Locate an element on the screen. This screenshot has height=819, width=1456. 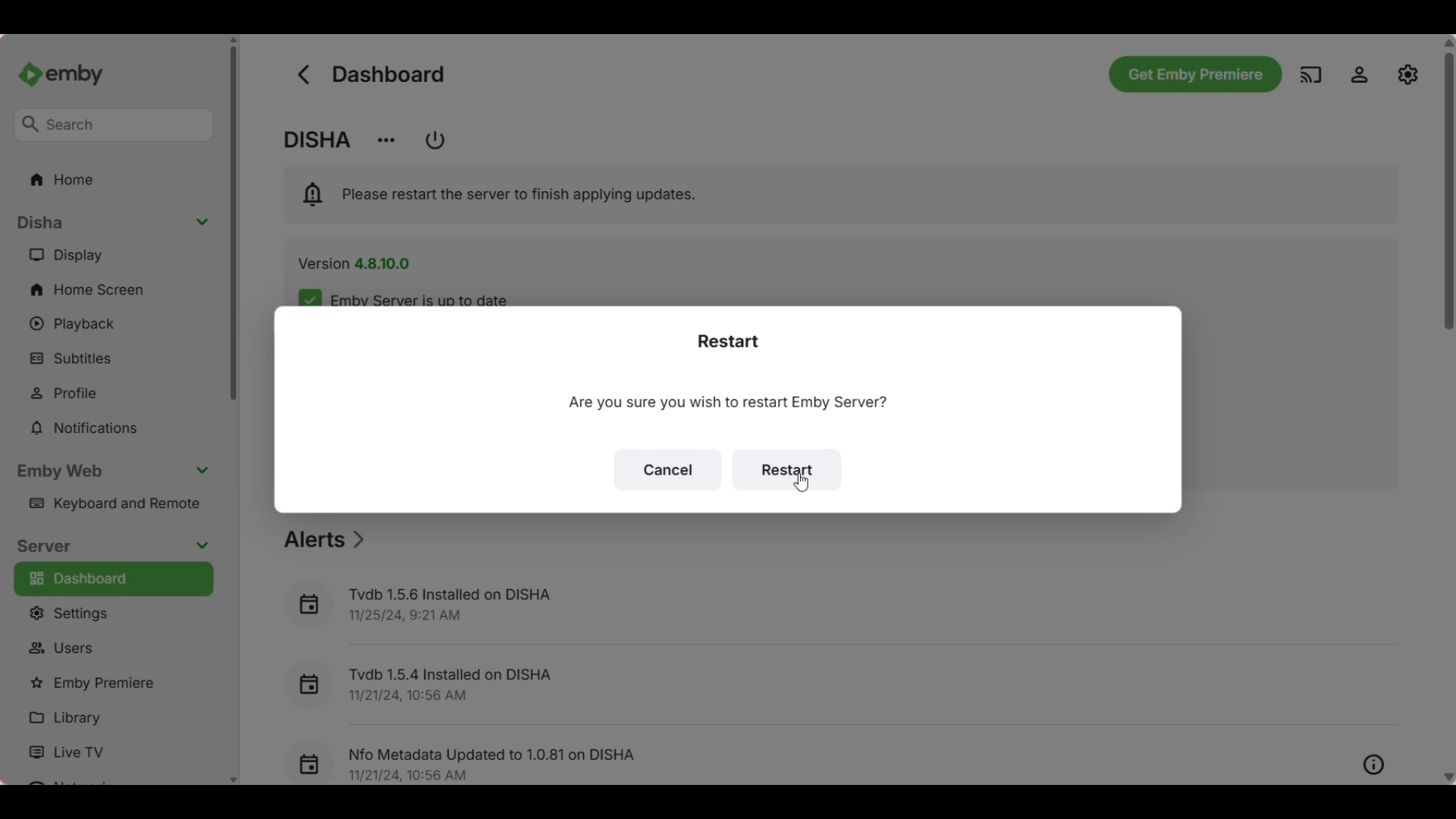
Button to restart/shutdown Emby servers is located at coordinates (436, 140).